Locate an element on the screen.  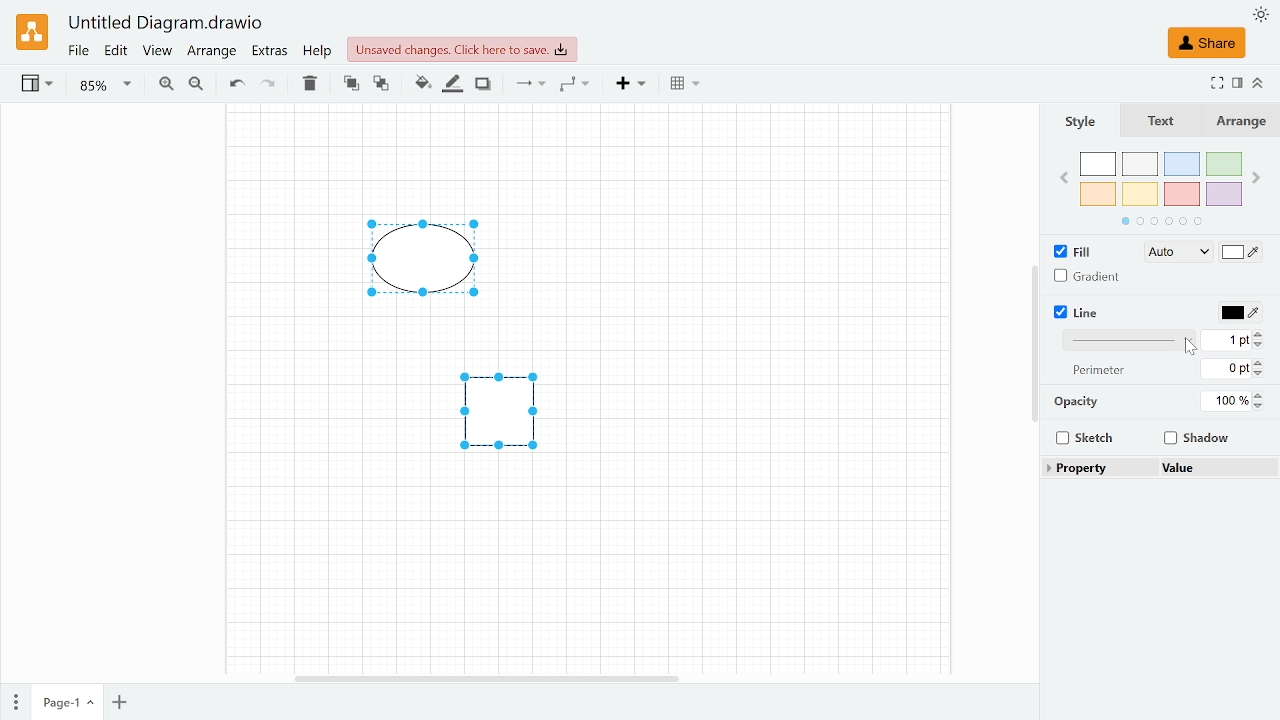
Diagrams is located at coordinates (457, 354).